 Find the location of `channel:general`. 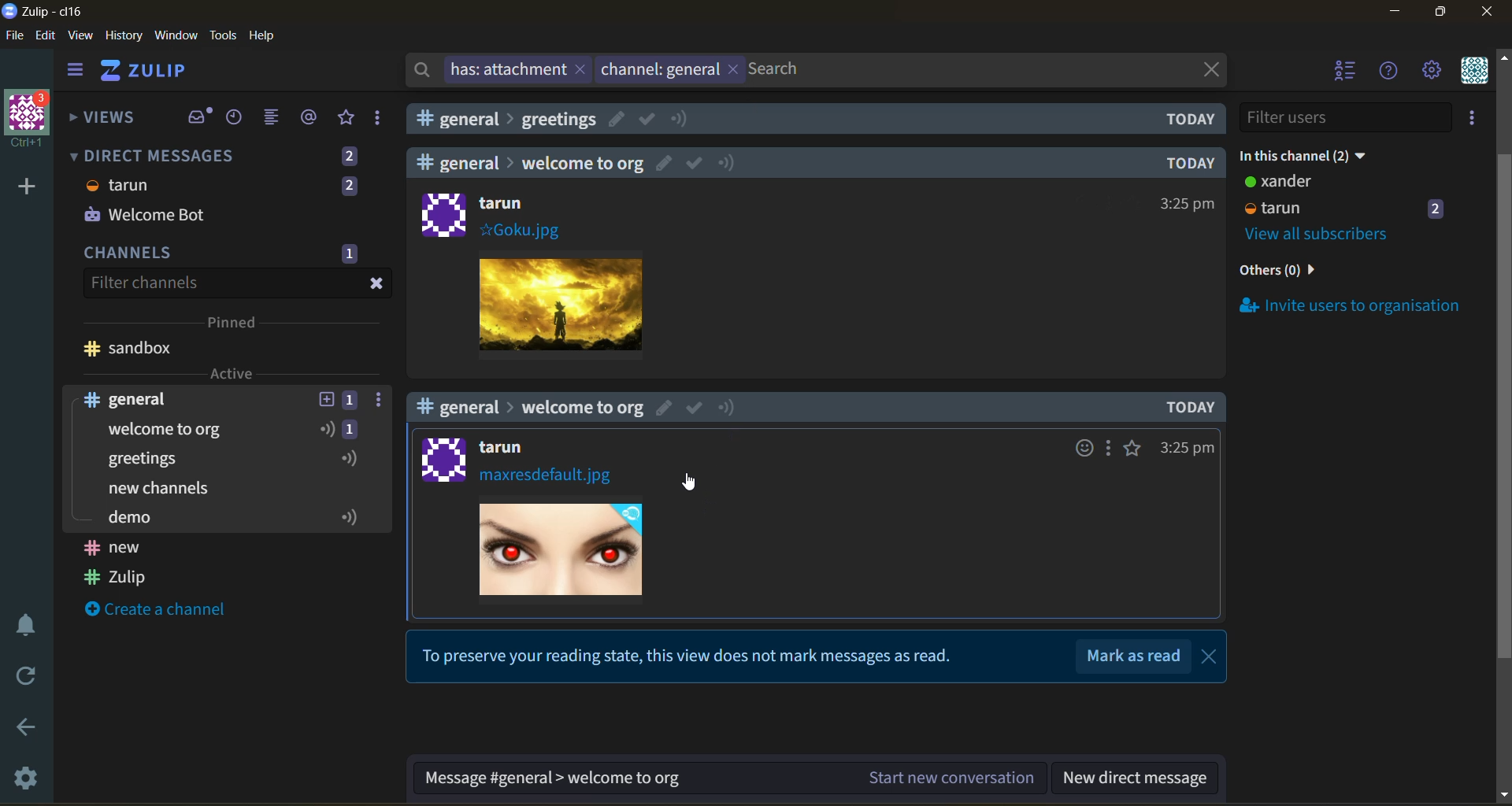

channel:general is located at coordinates (666, 68).